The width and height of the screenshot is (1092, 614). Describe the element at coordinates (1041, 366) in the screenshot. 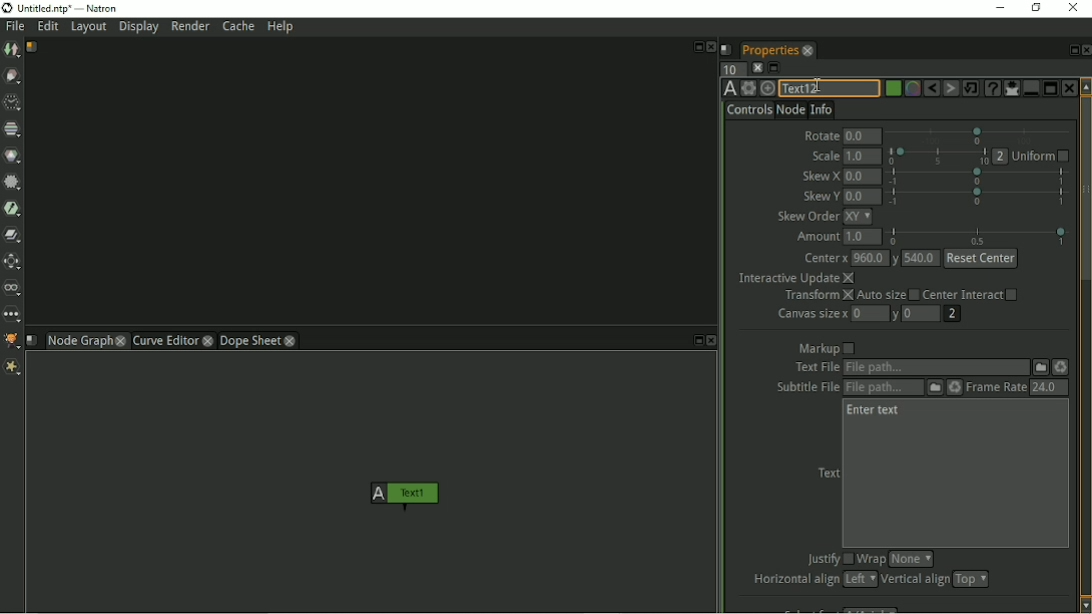

I see `File` at that location.